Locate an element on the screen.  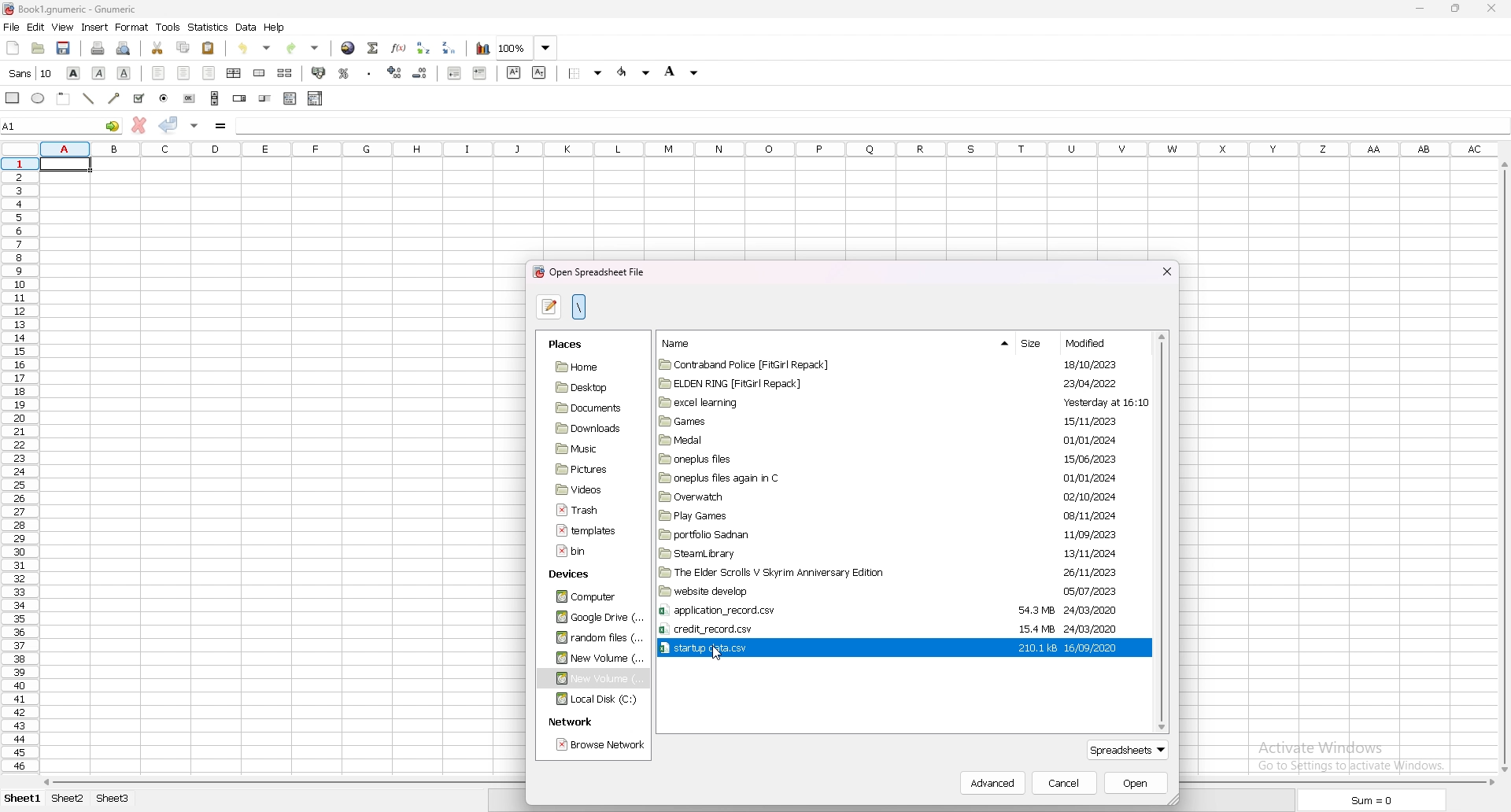
rectangle is located at coordinates (64, 98).